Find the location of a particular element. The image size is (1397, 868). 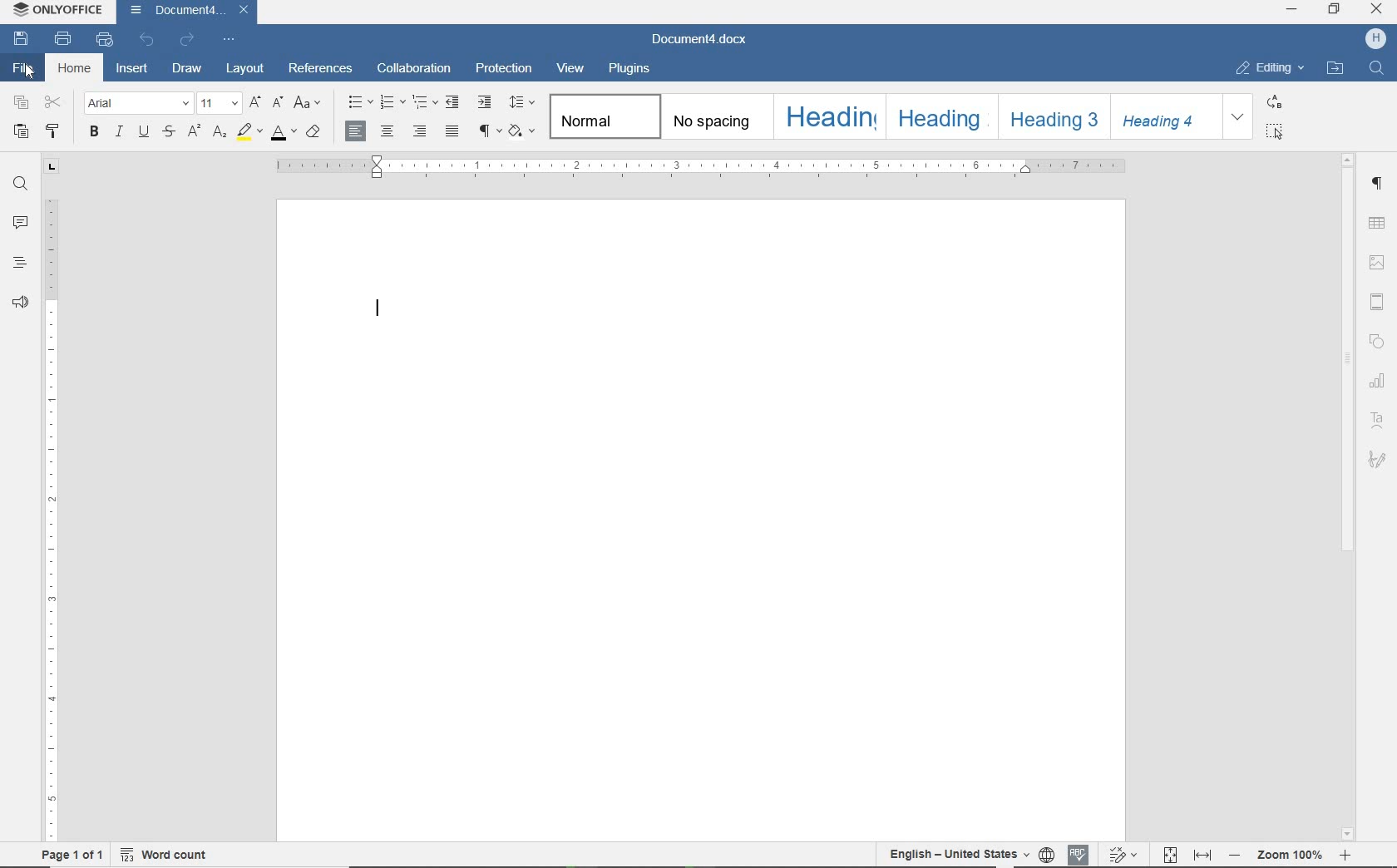

font size is located at coordinates (221, 103).